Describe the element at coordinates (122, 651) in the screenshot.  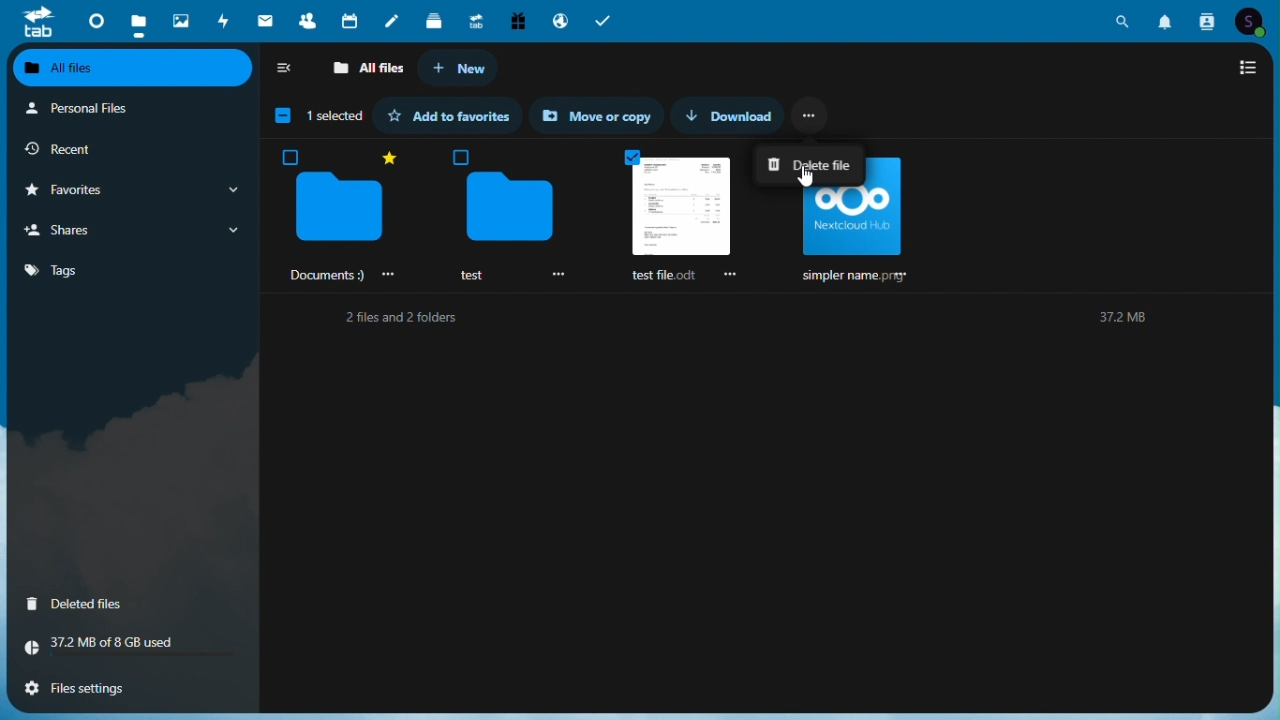
I see `Storage` at that location.